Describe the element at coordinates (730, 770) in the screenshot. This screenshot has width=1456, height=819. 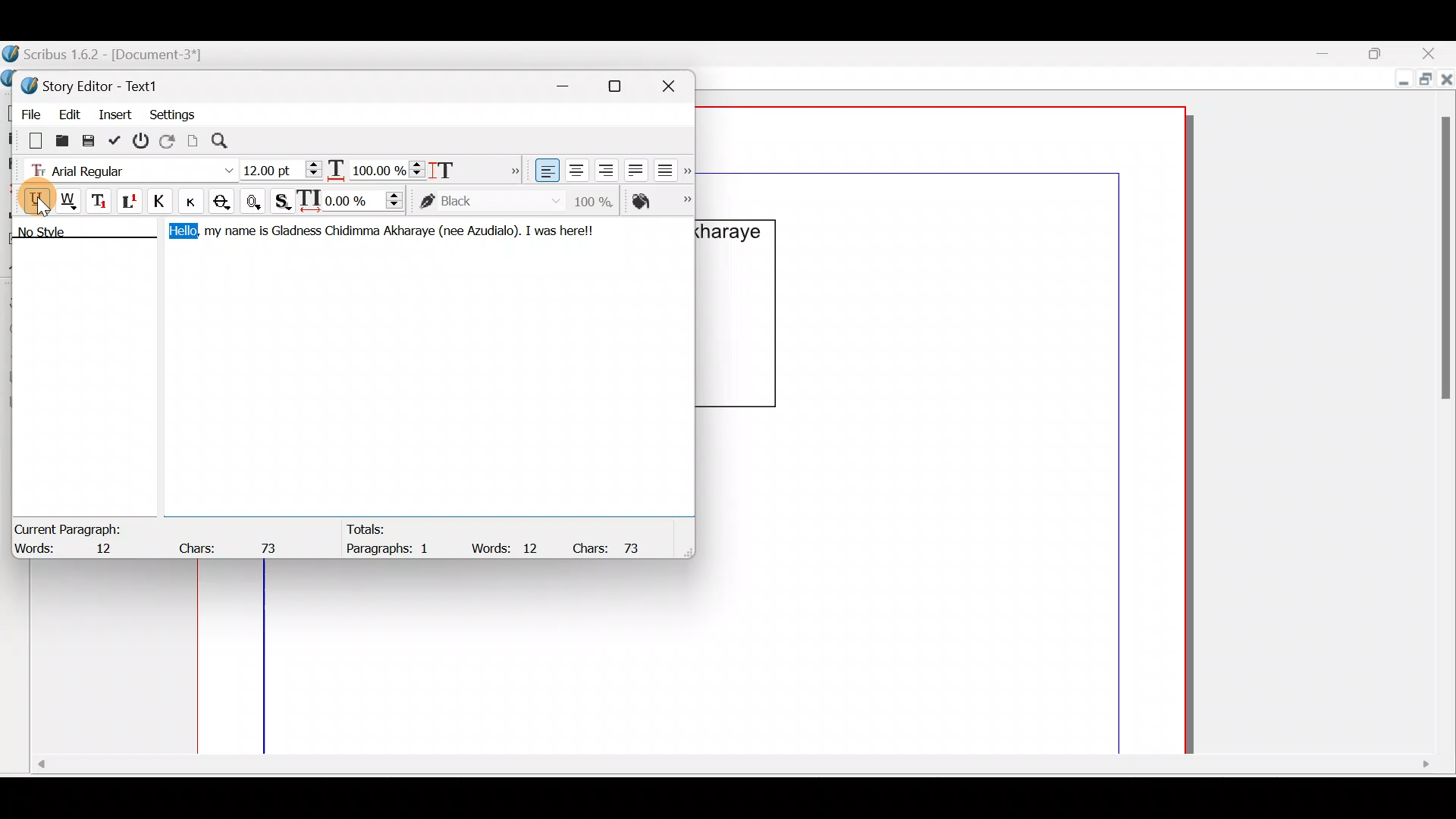
I see `Scroll bar` at that location.